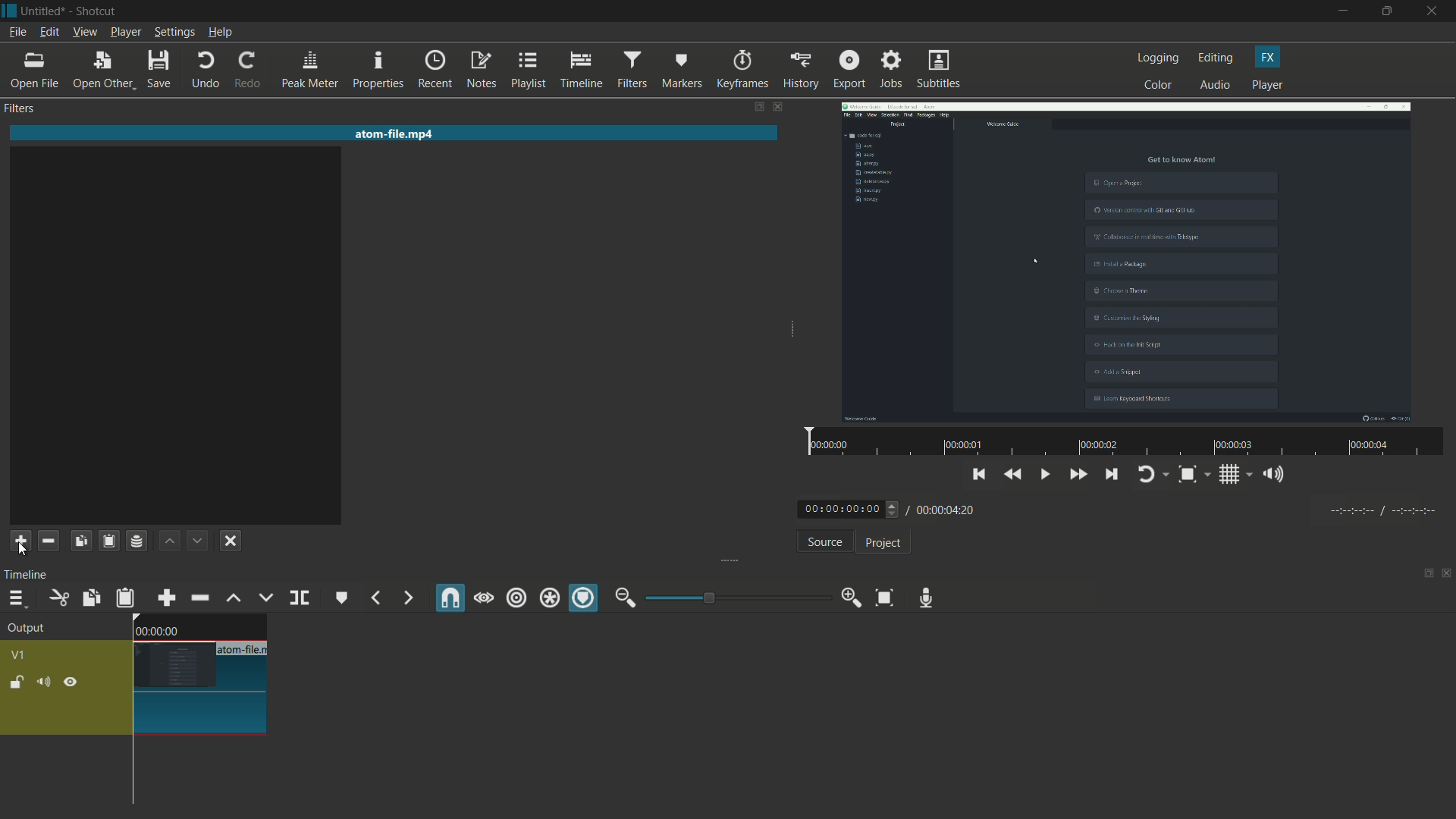 The image size is (1456, 819). What do you see at coordinates (175, 33) in the screenshot?
I see `settings menu` at bounding box center [175, 33].